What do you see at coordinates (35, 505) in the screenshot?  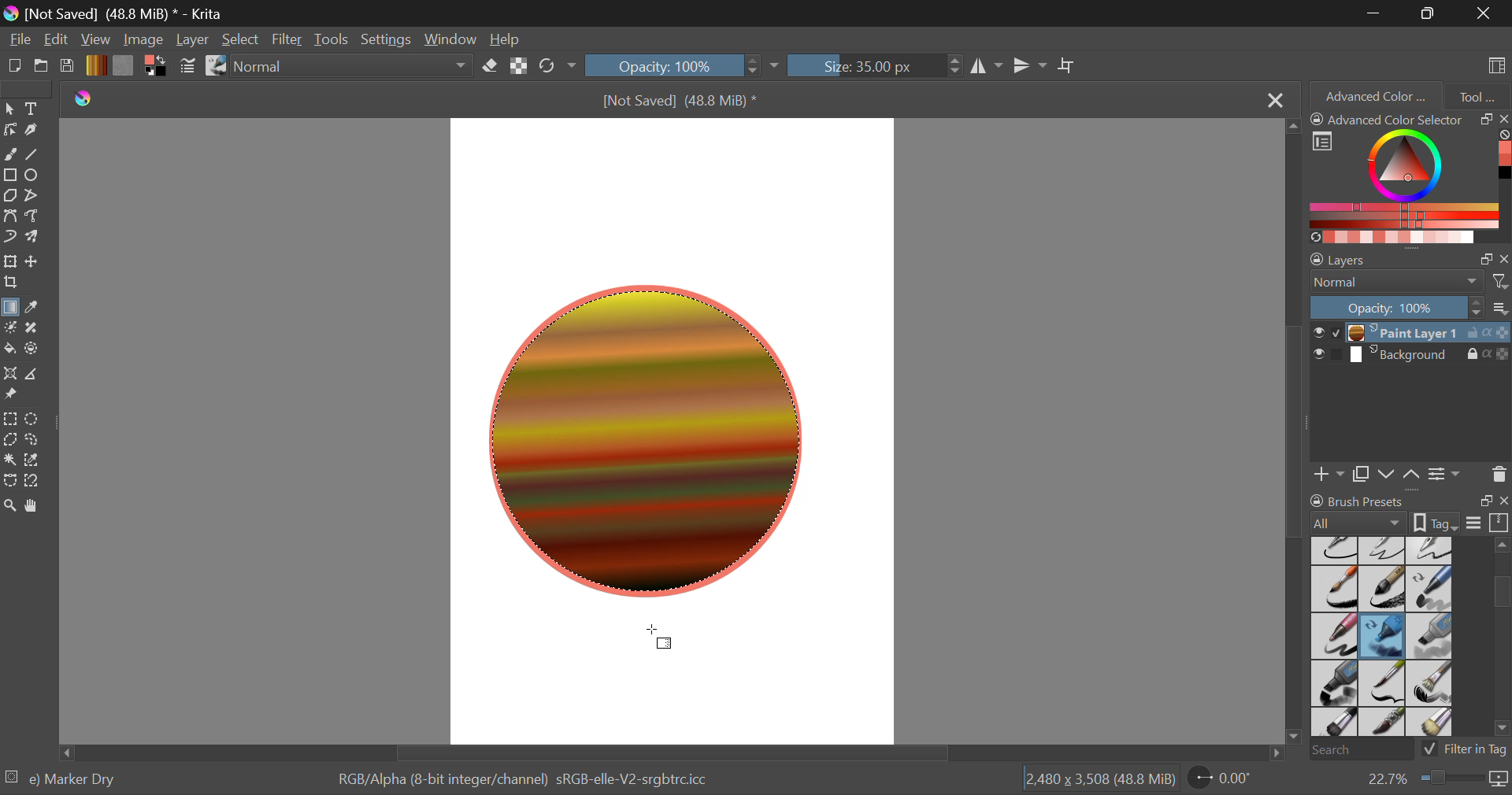 I see `Pan Tool` at bounding box center [35, 505].